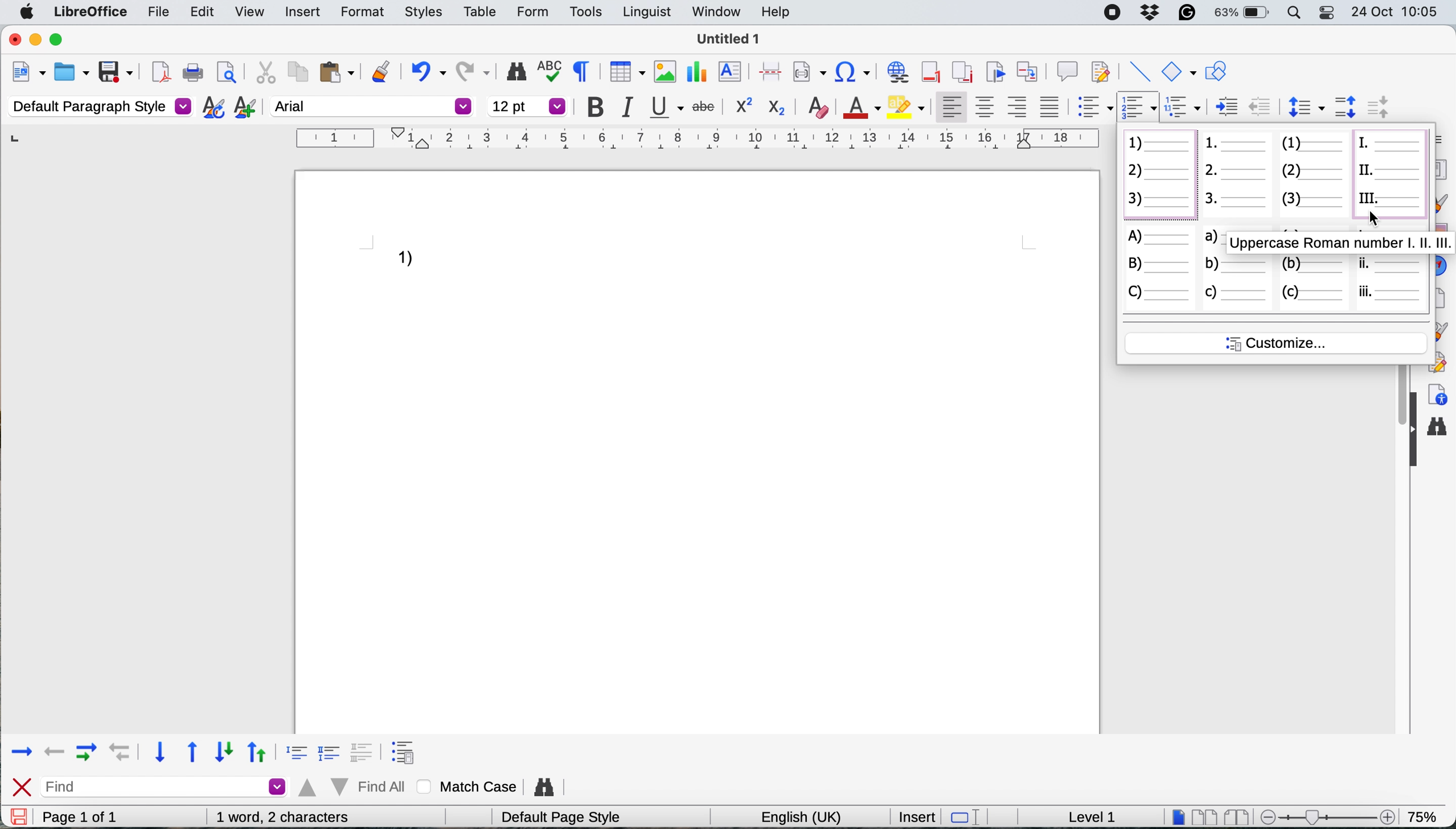 The height and width of the screenshot is (829, 1456). What do you see at coordinates (625, 73) in the screenshot?
I see `insert table` at bounding box center [625, 73].